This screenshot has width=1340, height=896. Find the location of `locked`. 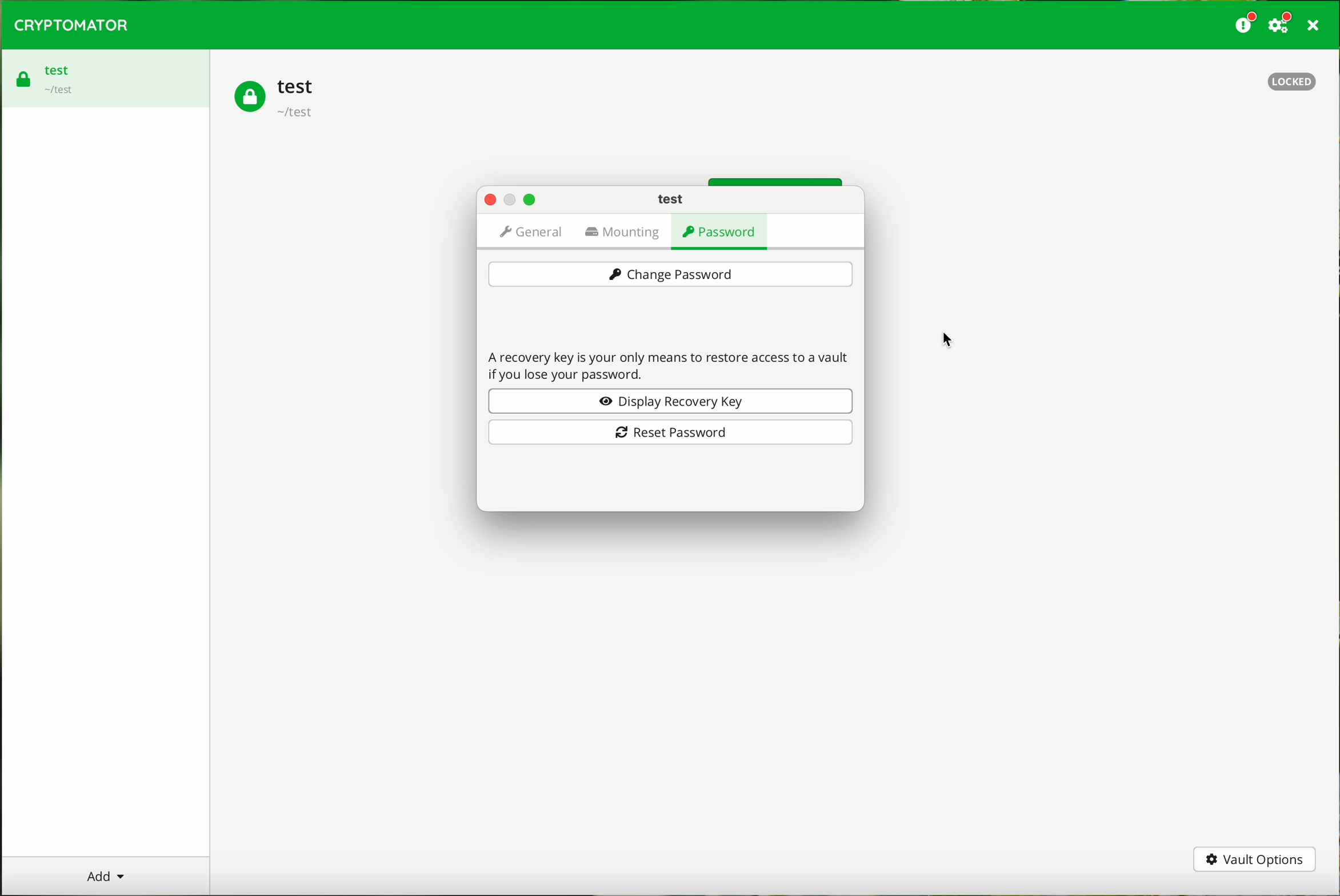

locked is located at coordinates (1286, 79).